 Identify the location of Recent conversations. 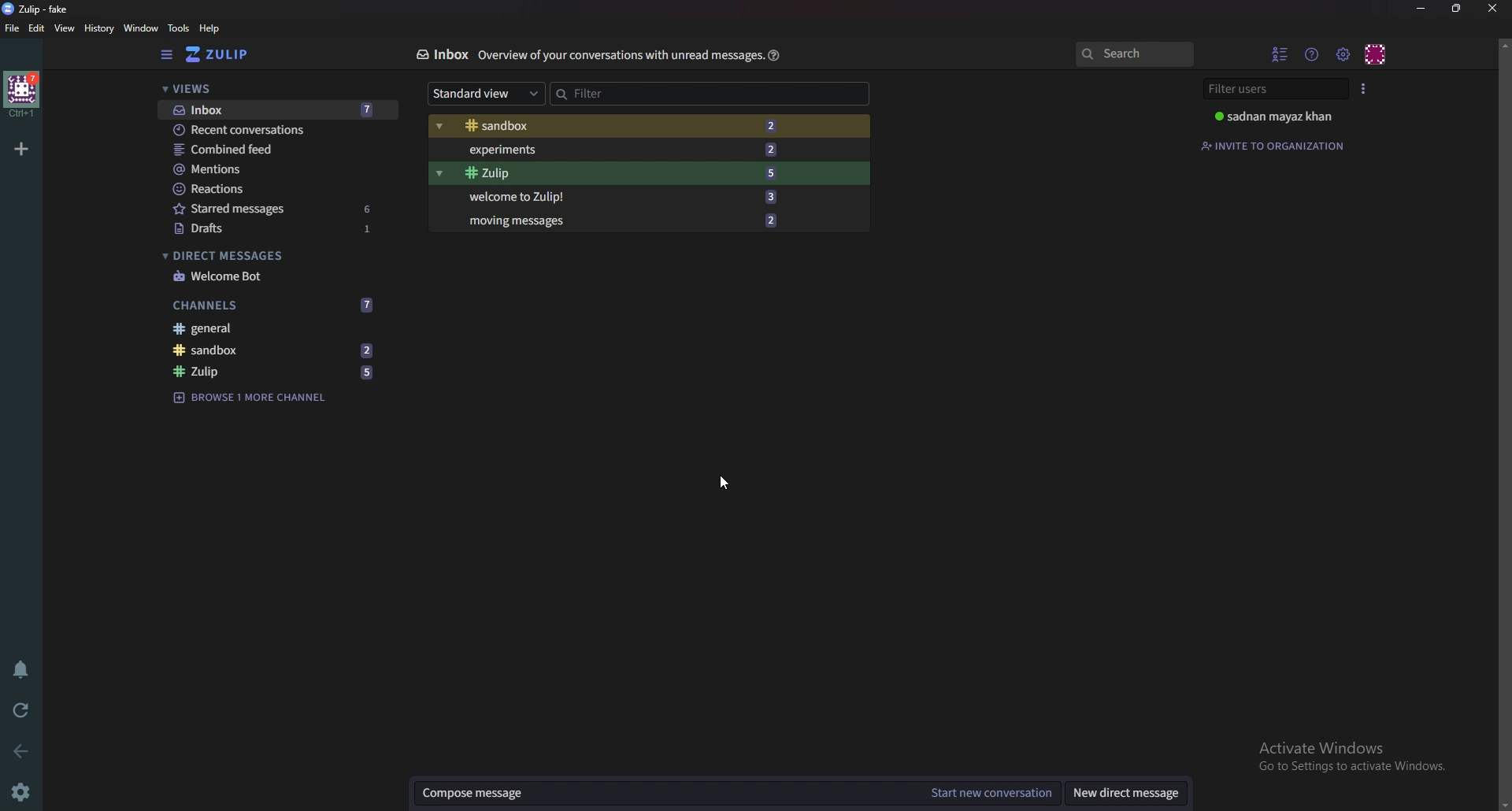
(277, 129).